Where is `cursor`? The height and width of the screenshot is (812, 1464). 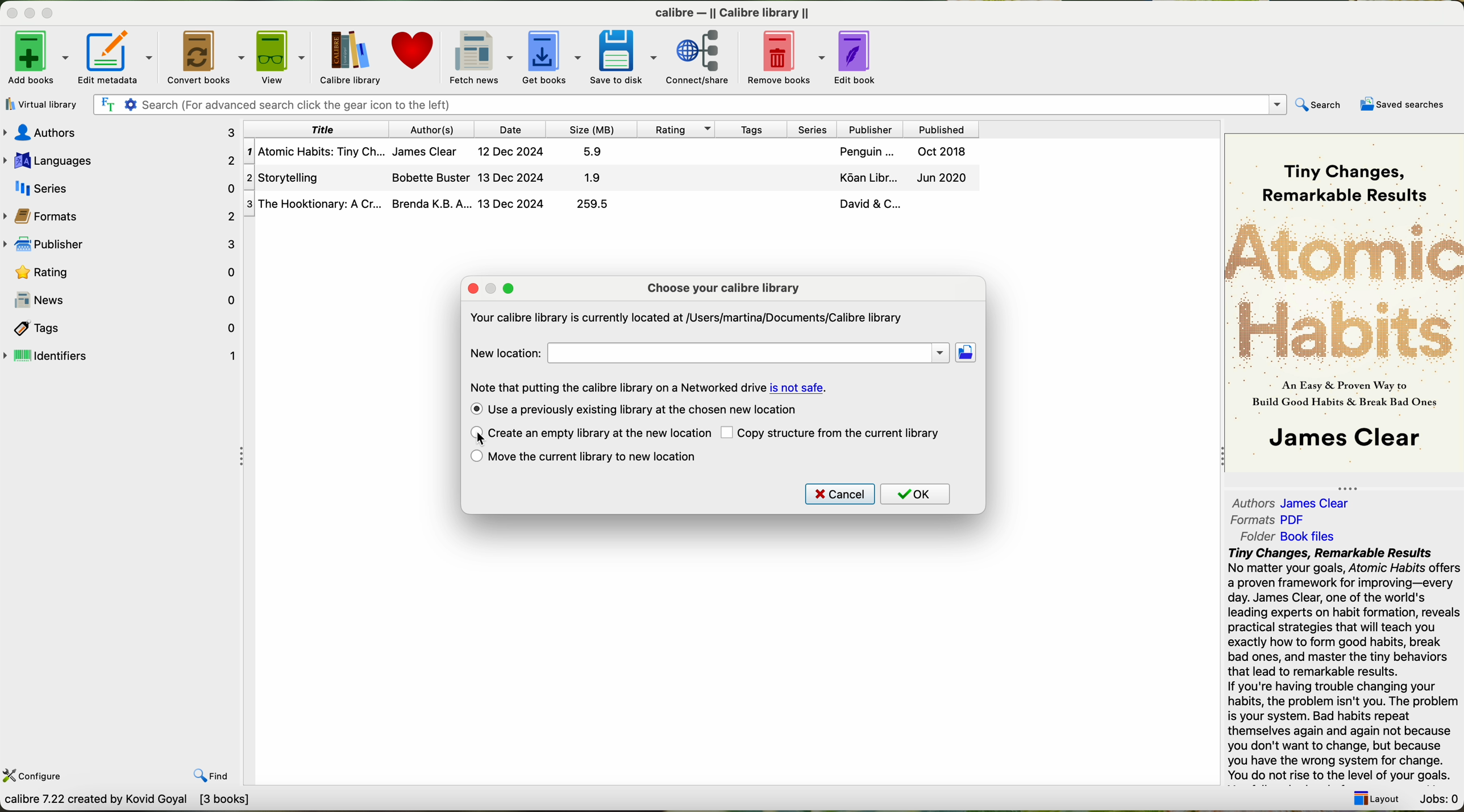 cursor is located at coordinates (479, 435).